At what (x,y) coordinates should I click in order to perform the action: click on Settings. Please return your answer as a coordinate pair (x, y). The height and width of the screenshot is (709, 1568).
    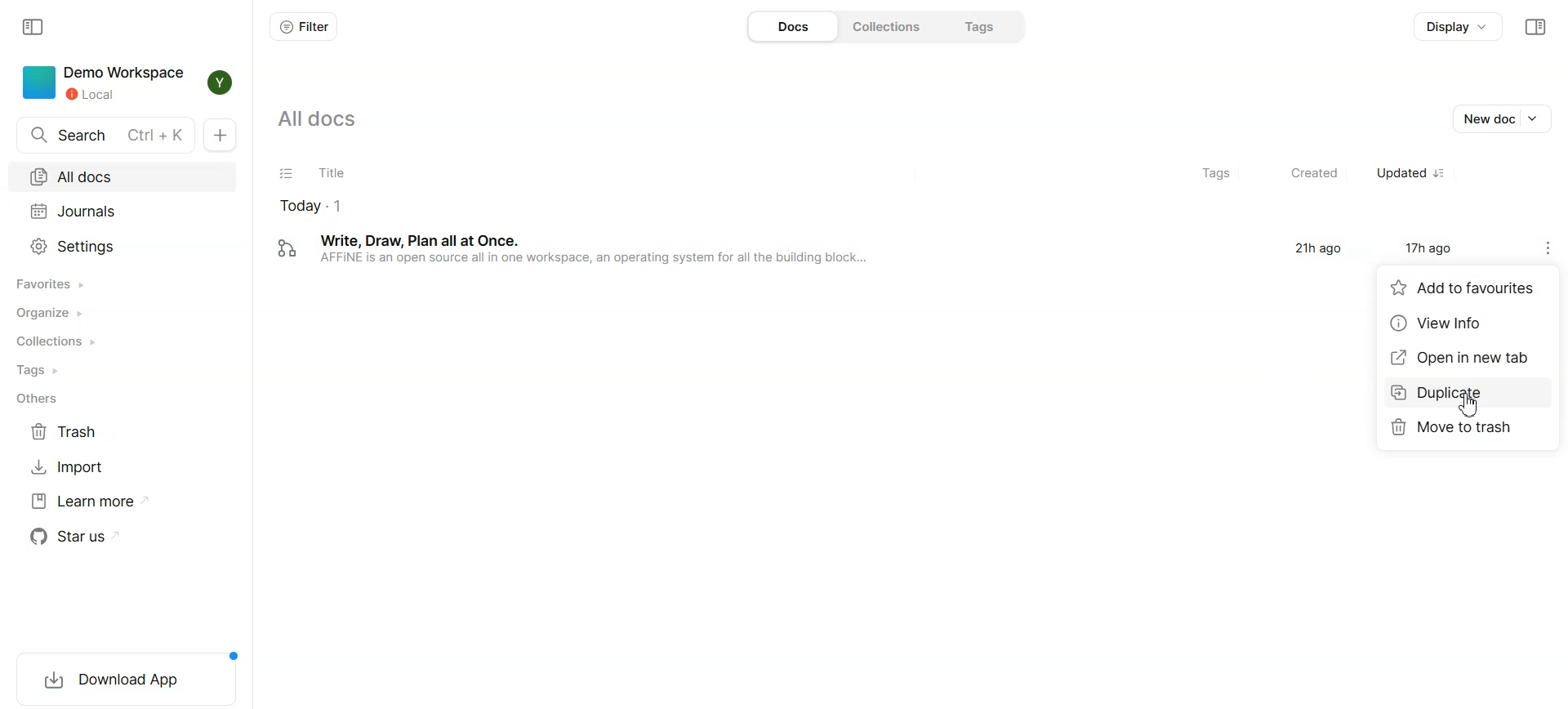
    Looking at the image, I should click on (122, 244).